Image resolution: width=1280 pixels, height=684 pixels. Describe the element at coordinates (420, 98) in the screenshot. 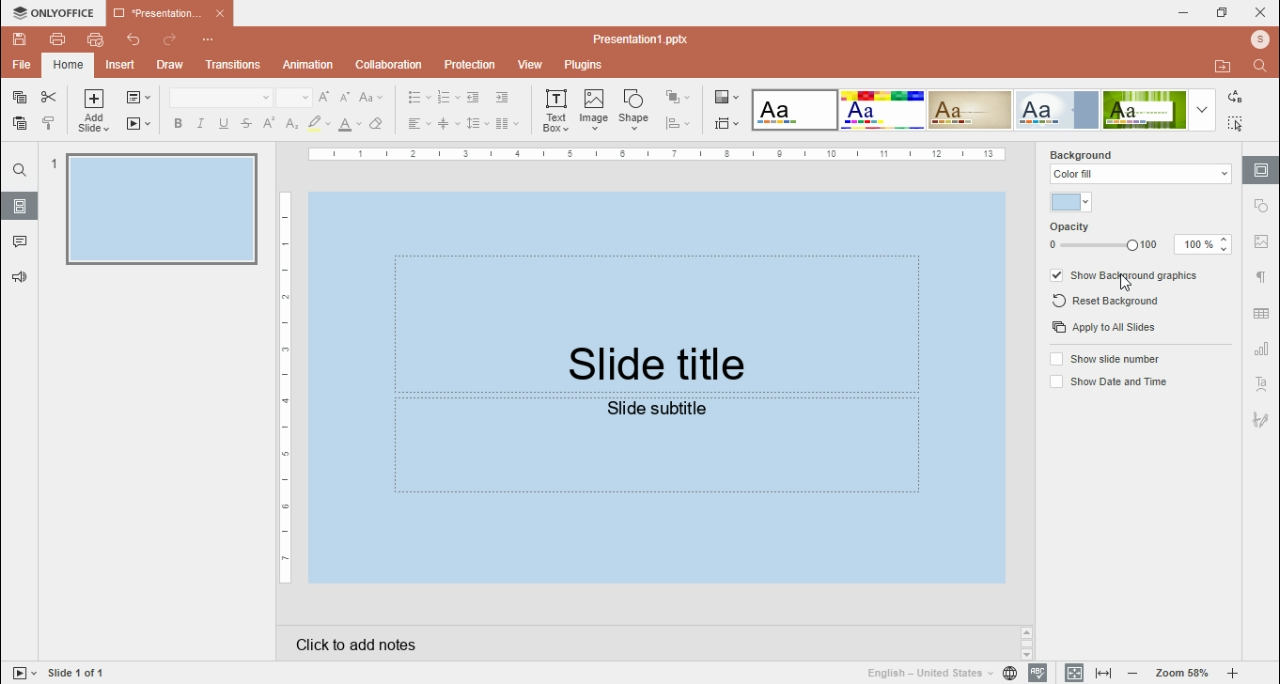

I see `bullets` at that location.